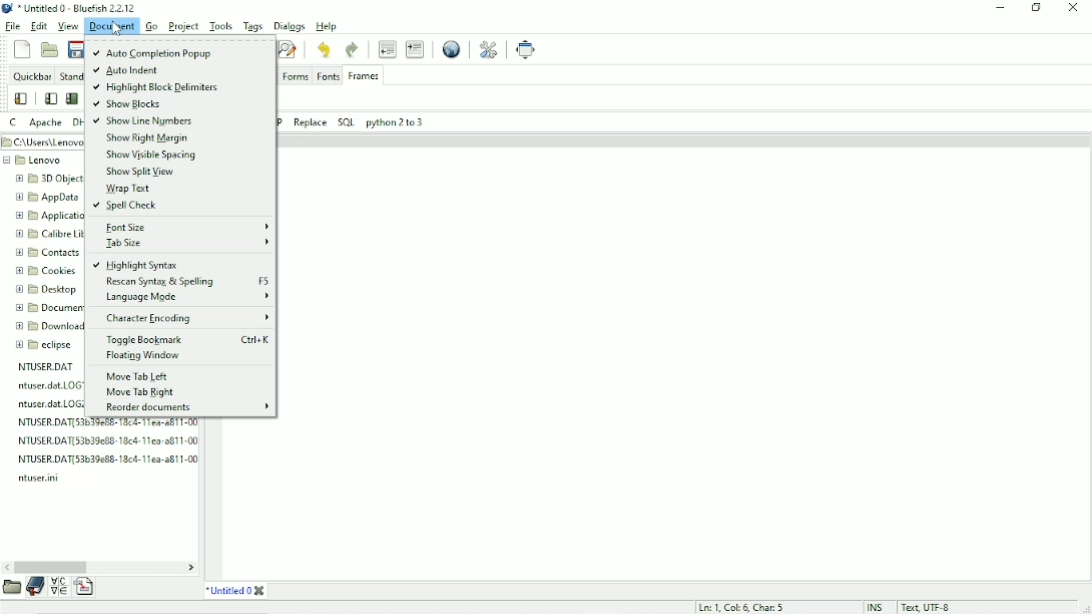 Image resolution: width=1092 pixels, height=614 pixels. I want to click on Language mode, so click(185, 297).